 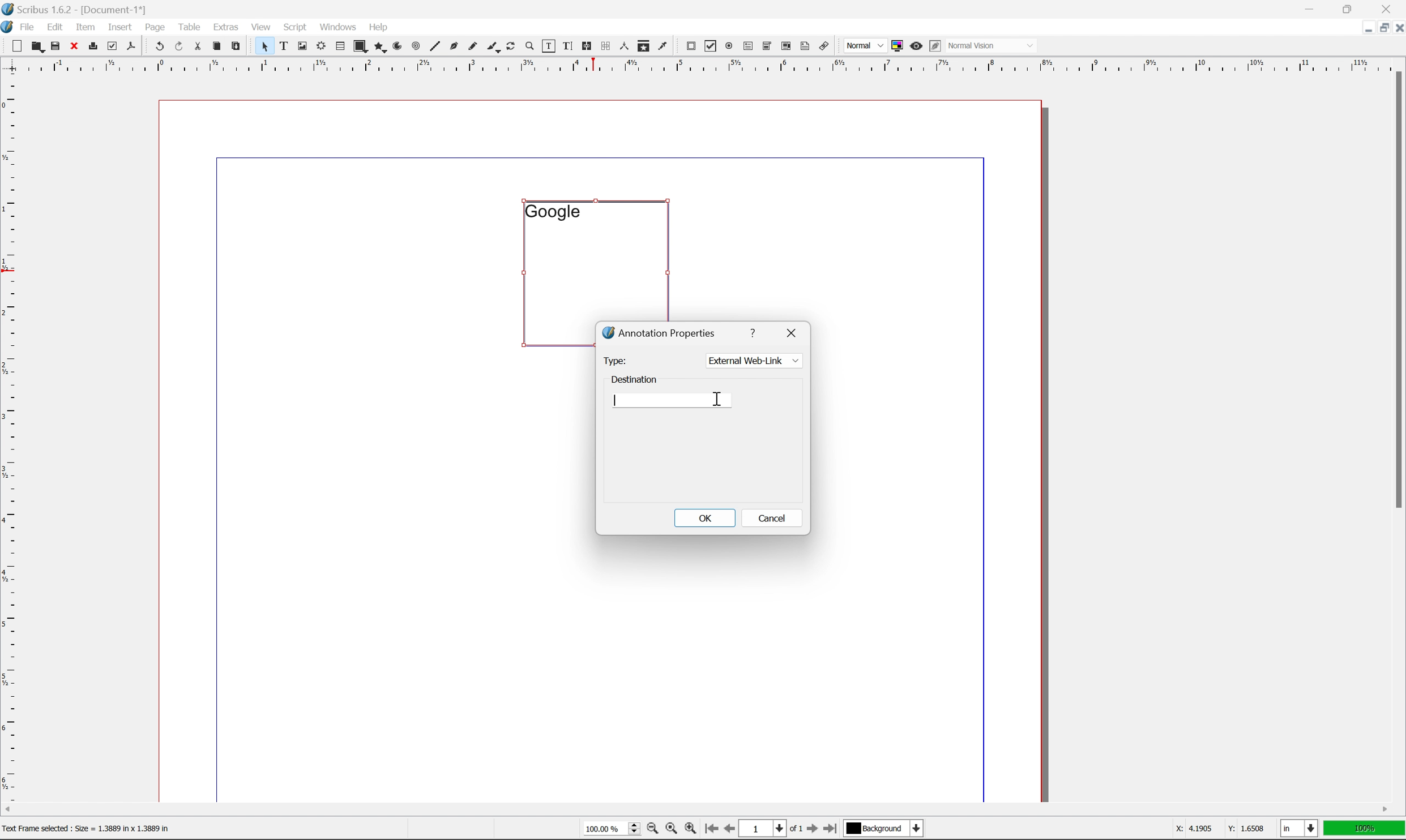 What do you see at coordinates (57, 27) in the screenshot?
I see `edit` at bounding box center [57, 27].